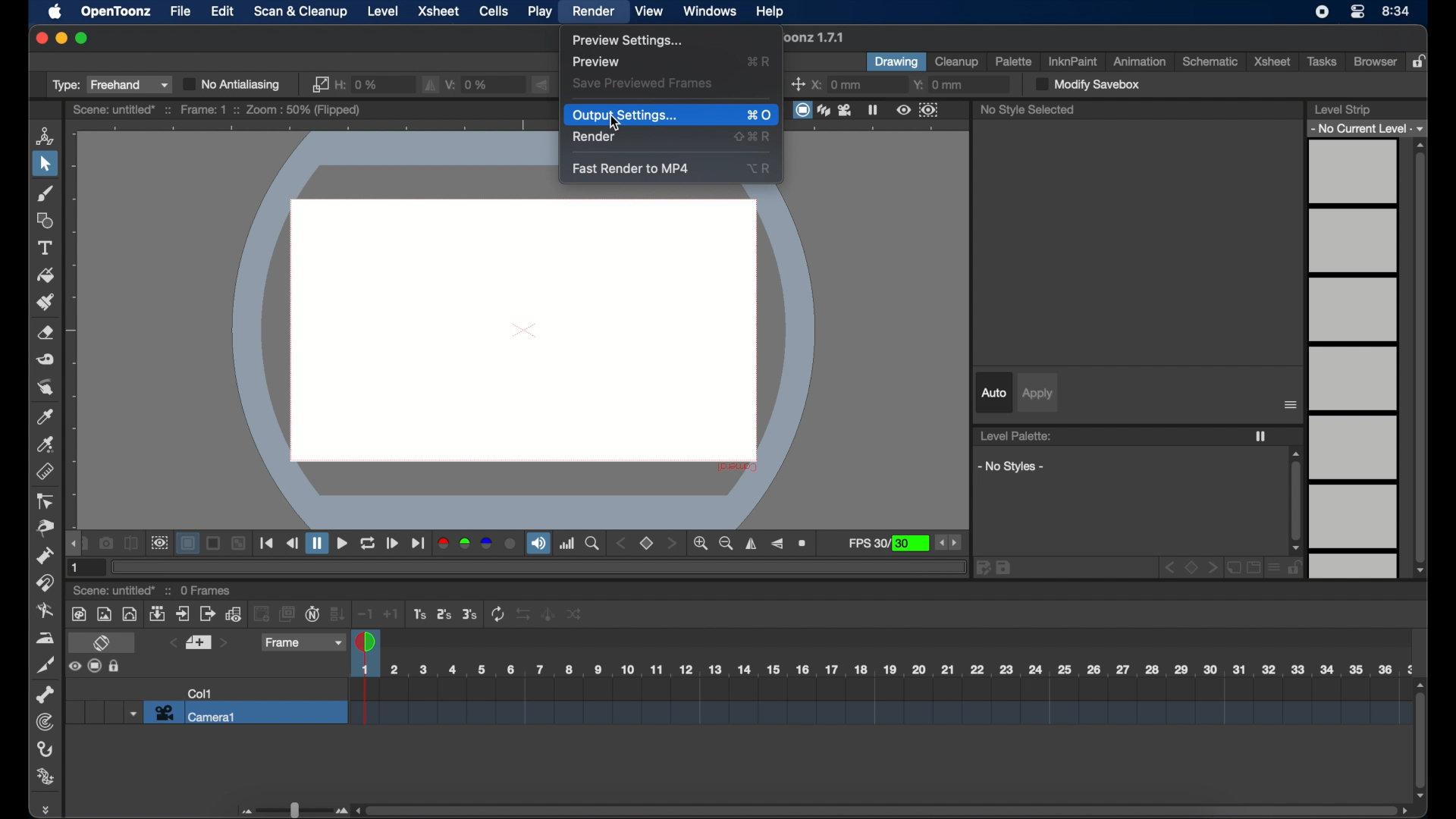  What do you see at coordinates (516, 362) in the screenshot?
I see `canvas` at bounding box center [516, 362].